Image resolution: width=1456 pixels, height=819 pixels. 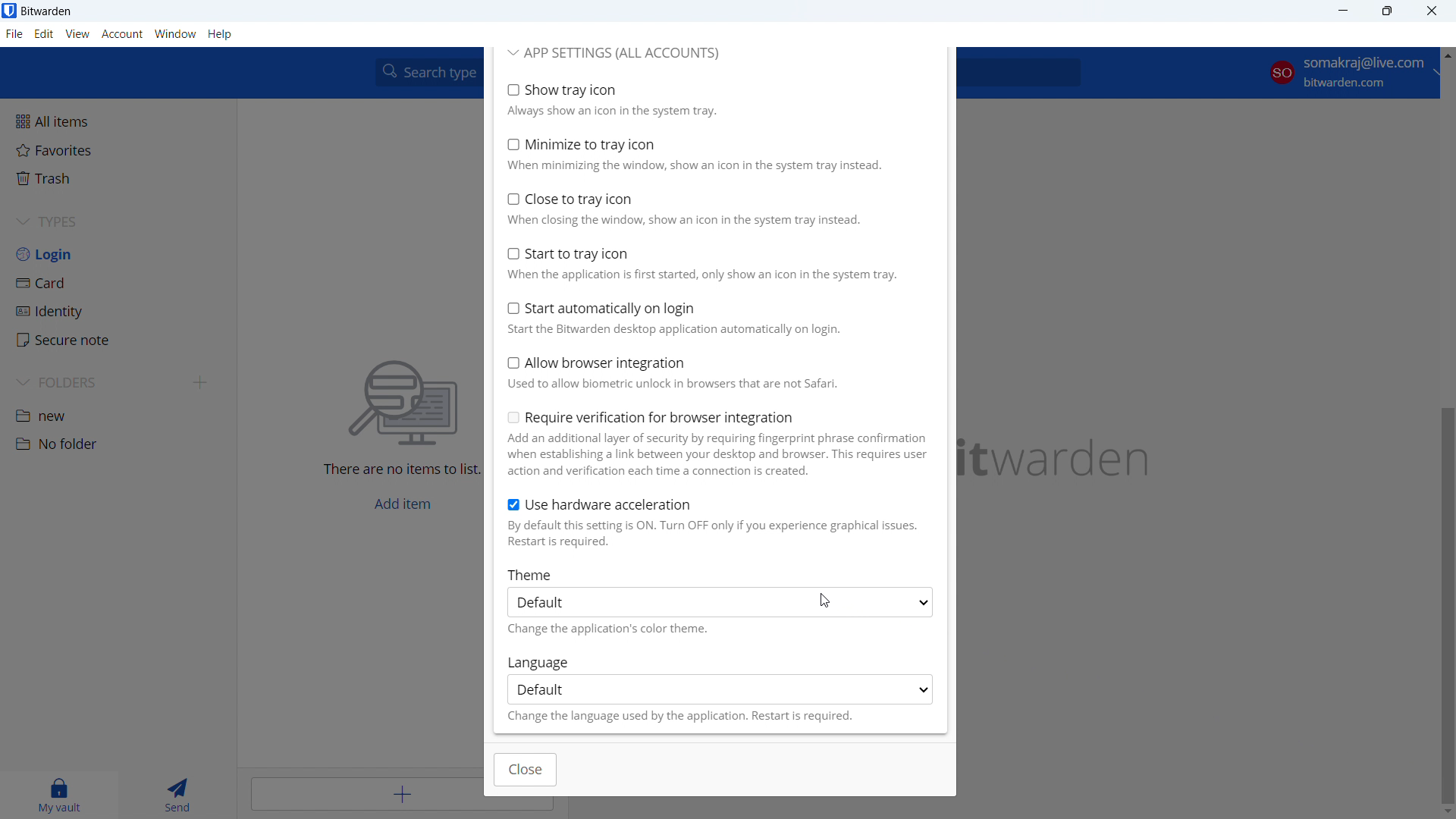 I want to click on searching for file vector icon, so click(x=404, y=404).